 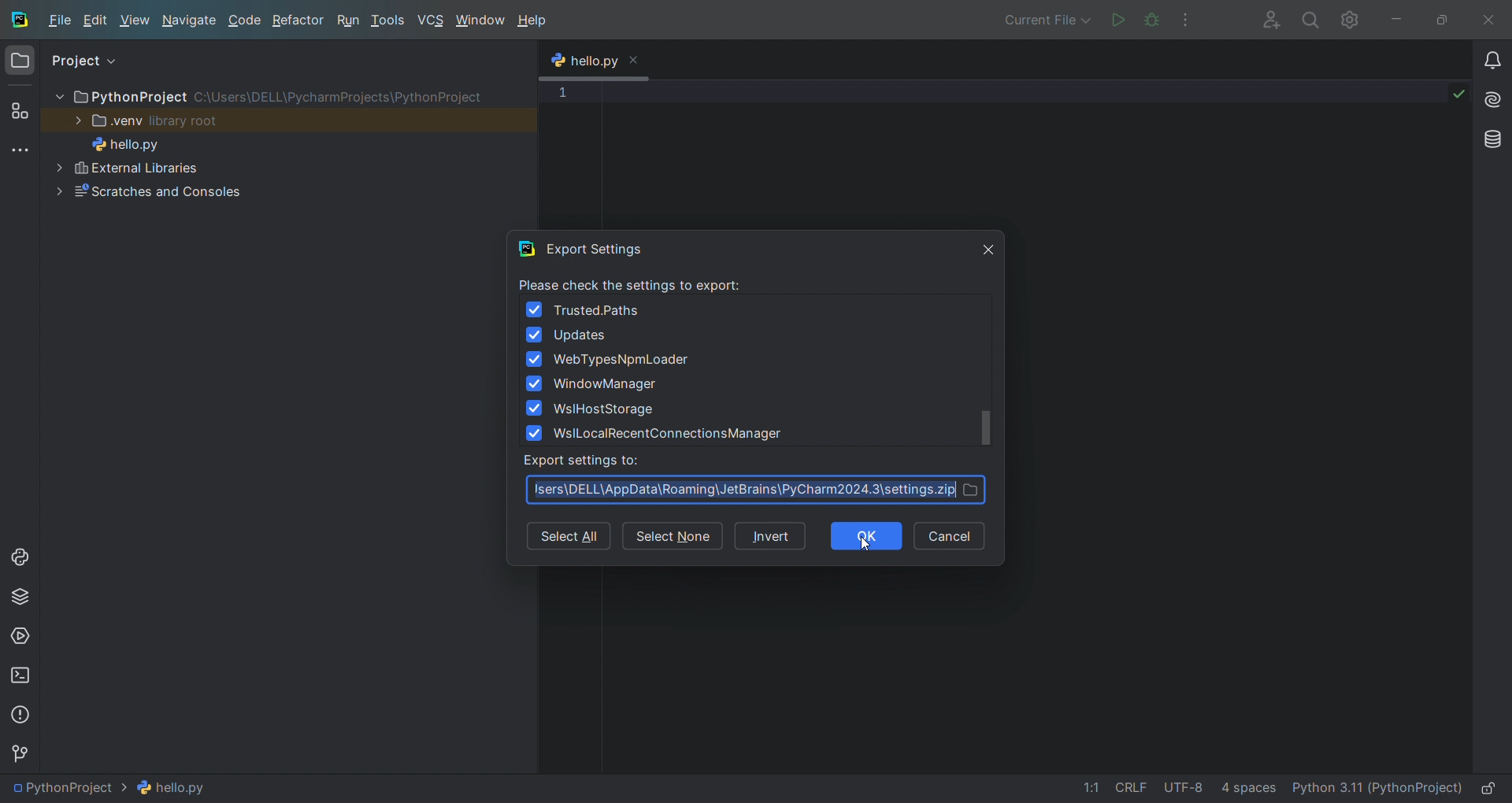 I want to click on refactor, so click(x=298, y=20).